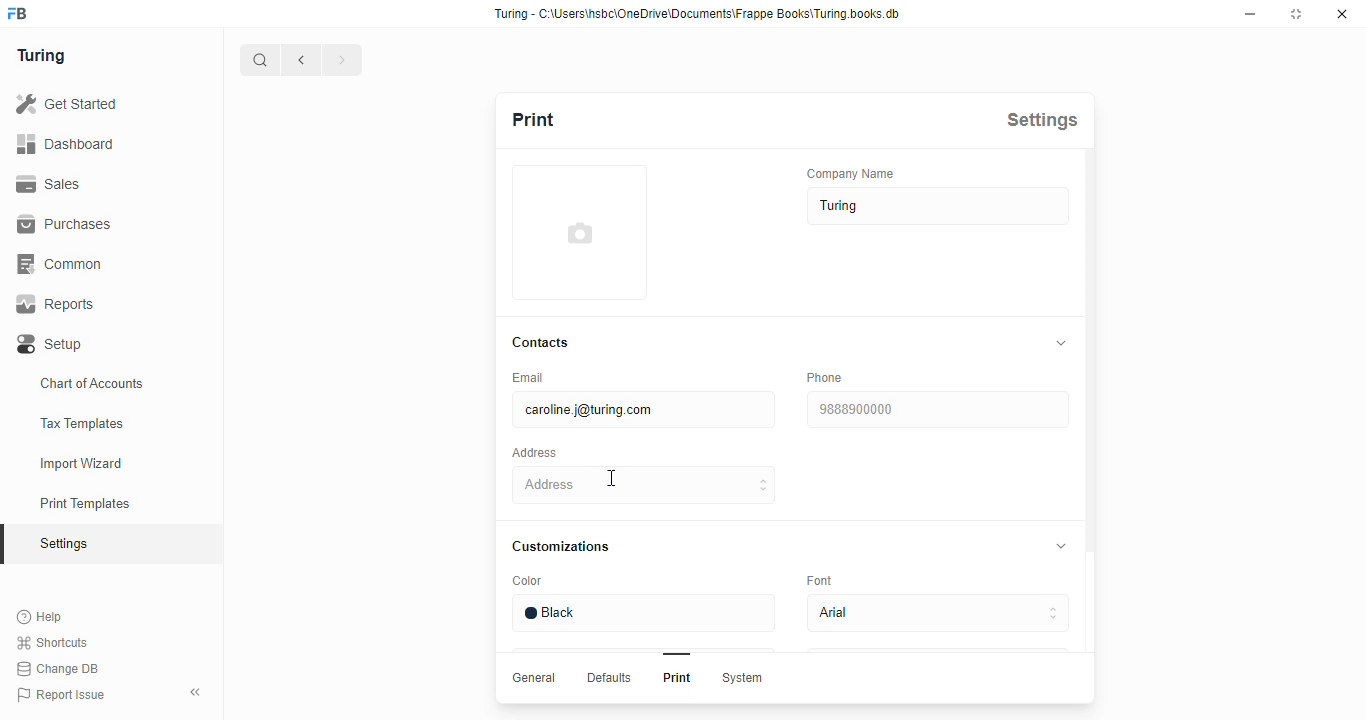 This screenshot has height=720, width=1366. I want to click on arial, so click(939, 613).